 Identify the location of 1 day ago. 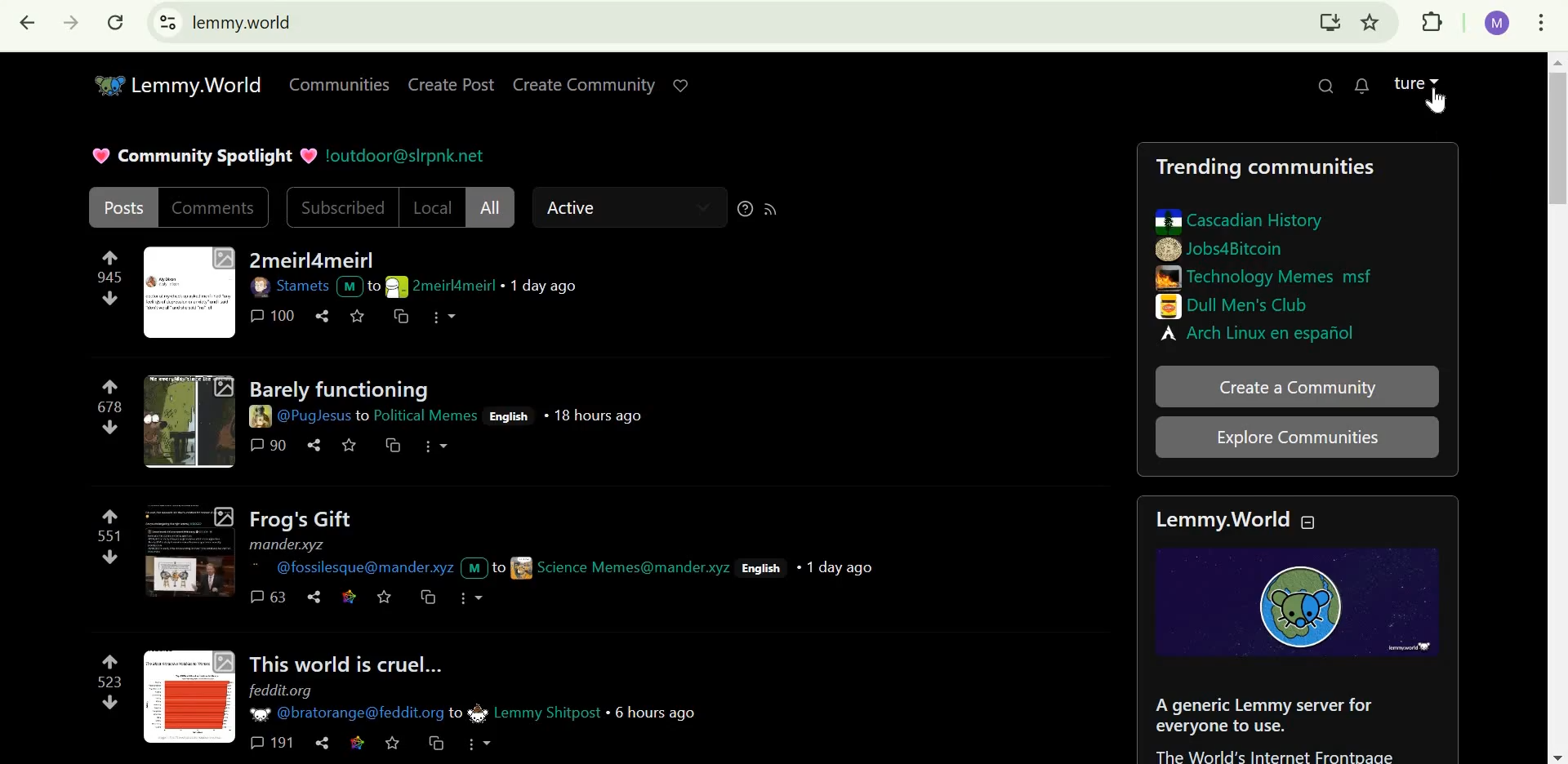
(840, 566).